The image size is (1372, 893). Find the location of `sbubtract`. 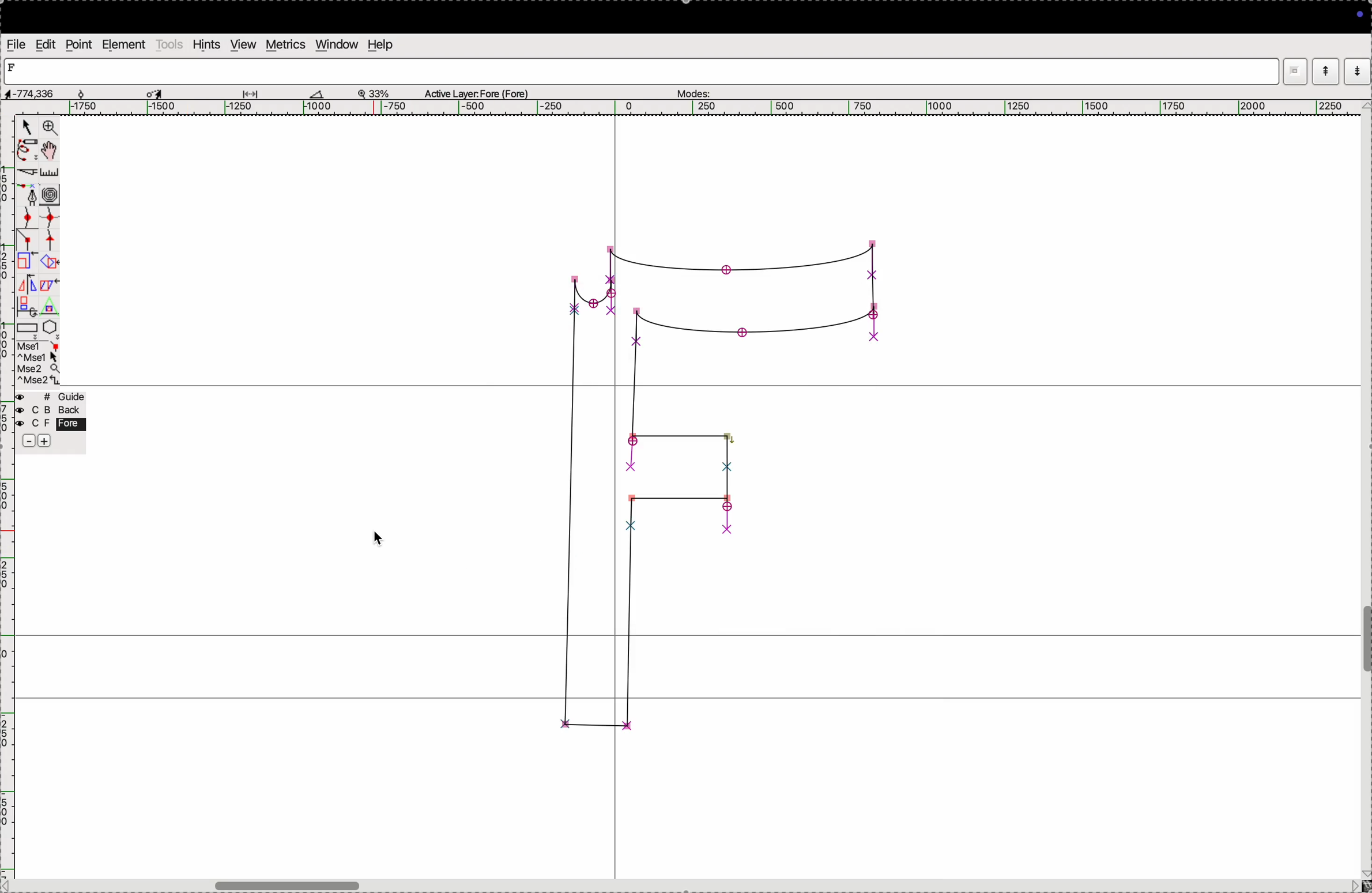

sbubtract is located at coordinates (24, 442).